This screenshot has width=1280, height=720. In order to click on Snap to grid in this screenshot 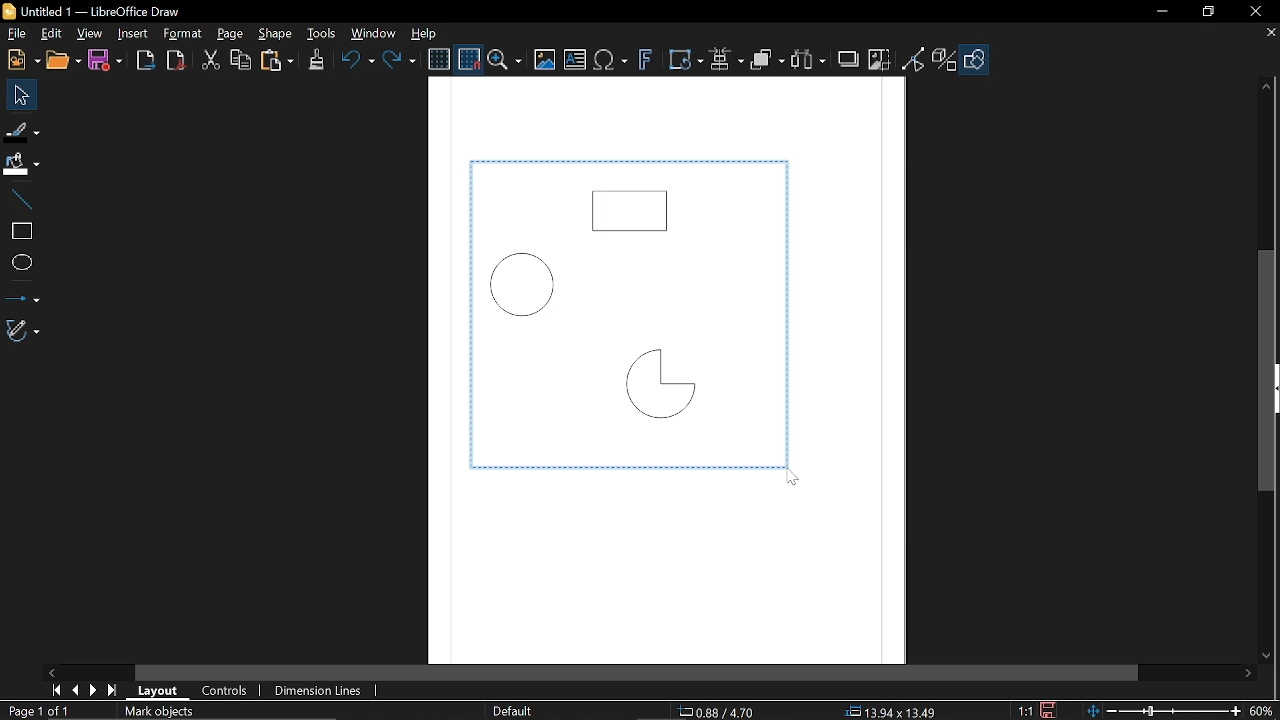, I will do `click(468, 57)`.